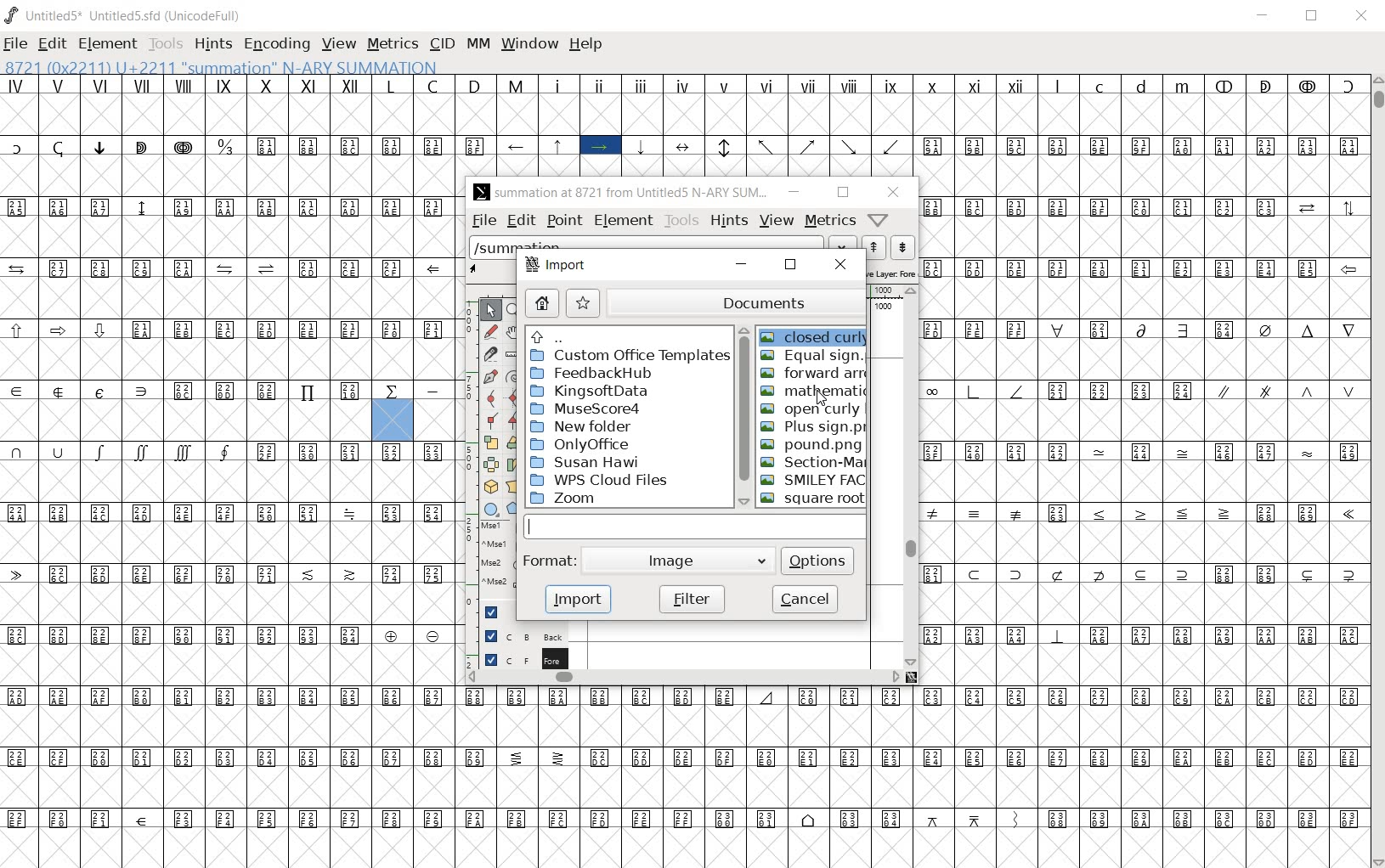 Image resolution: width=1385 pixels, height=868 pixels. What do you see at coordinates (492, 465) in the screenshot?
I see `flip the selection` at bounding box center [492, 465].